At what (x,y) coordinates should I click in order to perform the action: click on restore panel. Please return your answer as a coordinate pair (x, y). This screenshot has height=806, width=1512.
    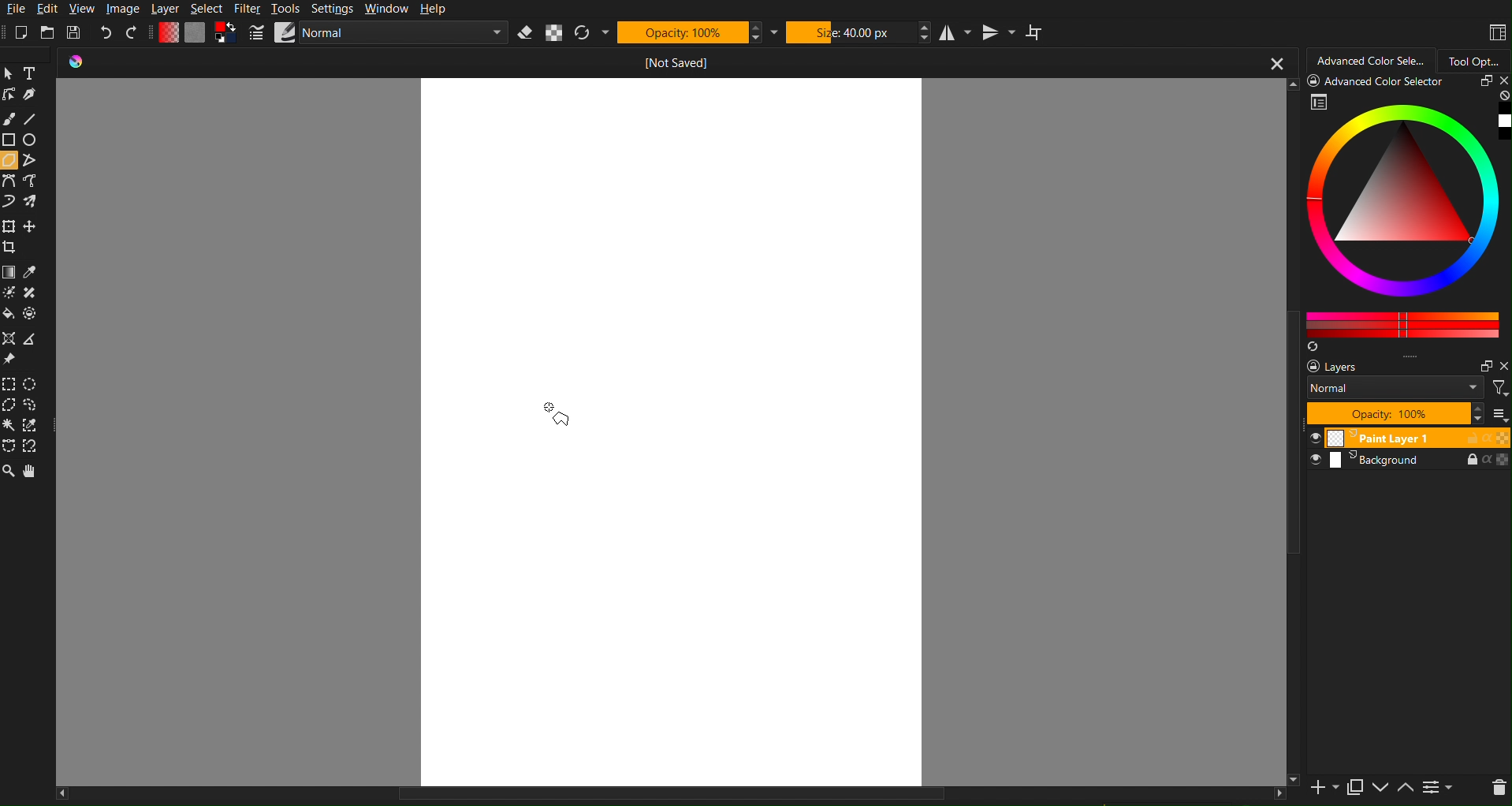
    Looking at the image, I should click on (1484, 366).